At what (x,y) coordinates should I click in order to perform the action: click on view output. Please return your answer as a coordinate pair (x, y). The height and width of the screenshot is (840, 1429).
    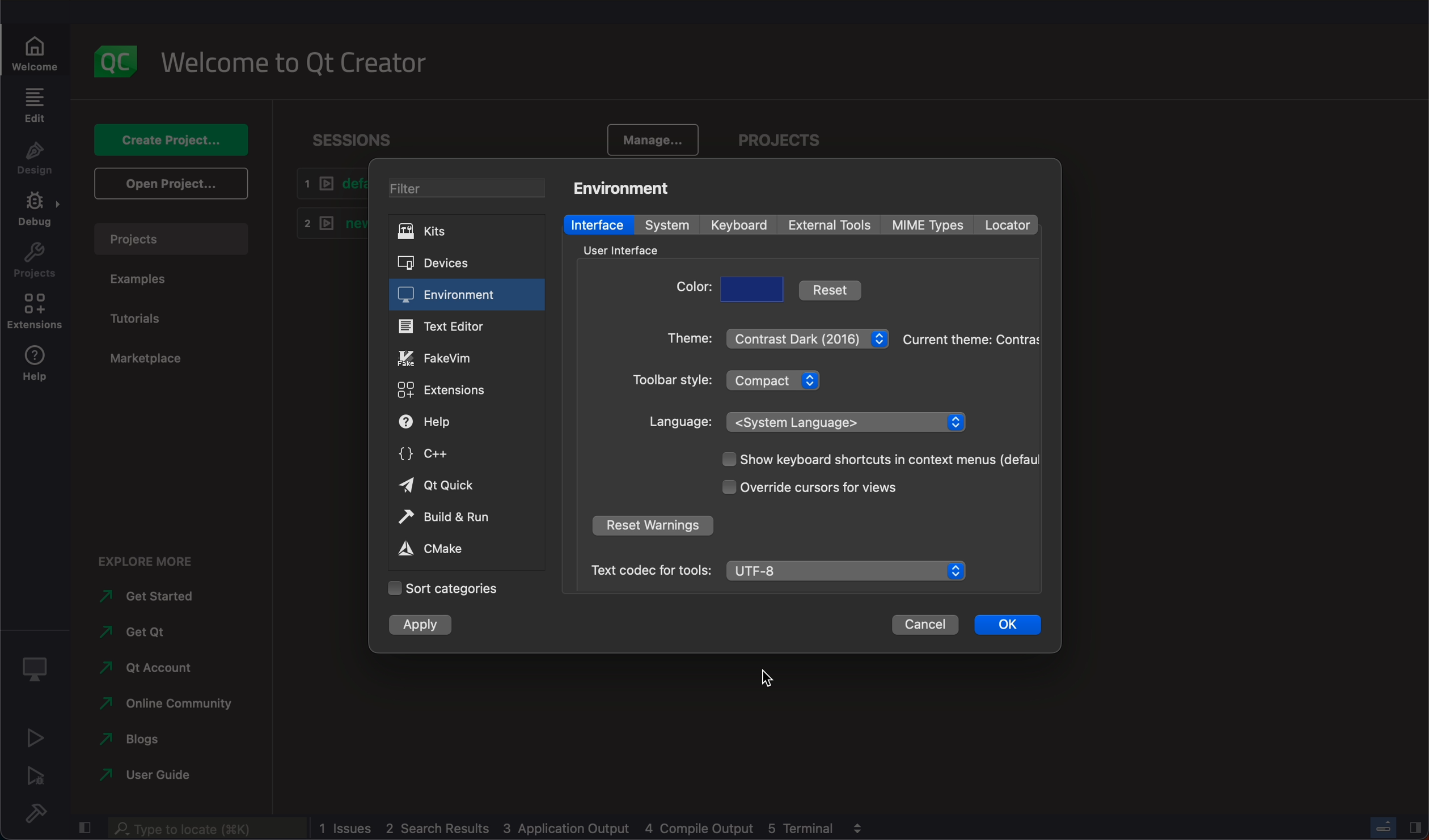
    Looking at the image, I should click on (861, 824).